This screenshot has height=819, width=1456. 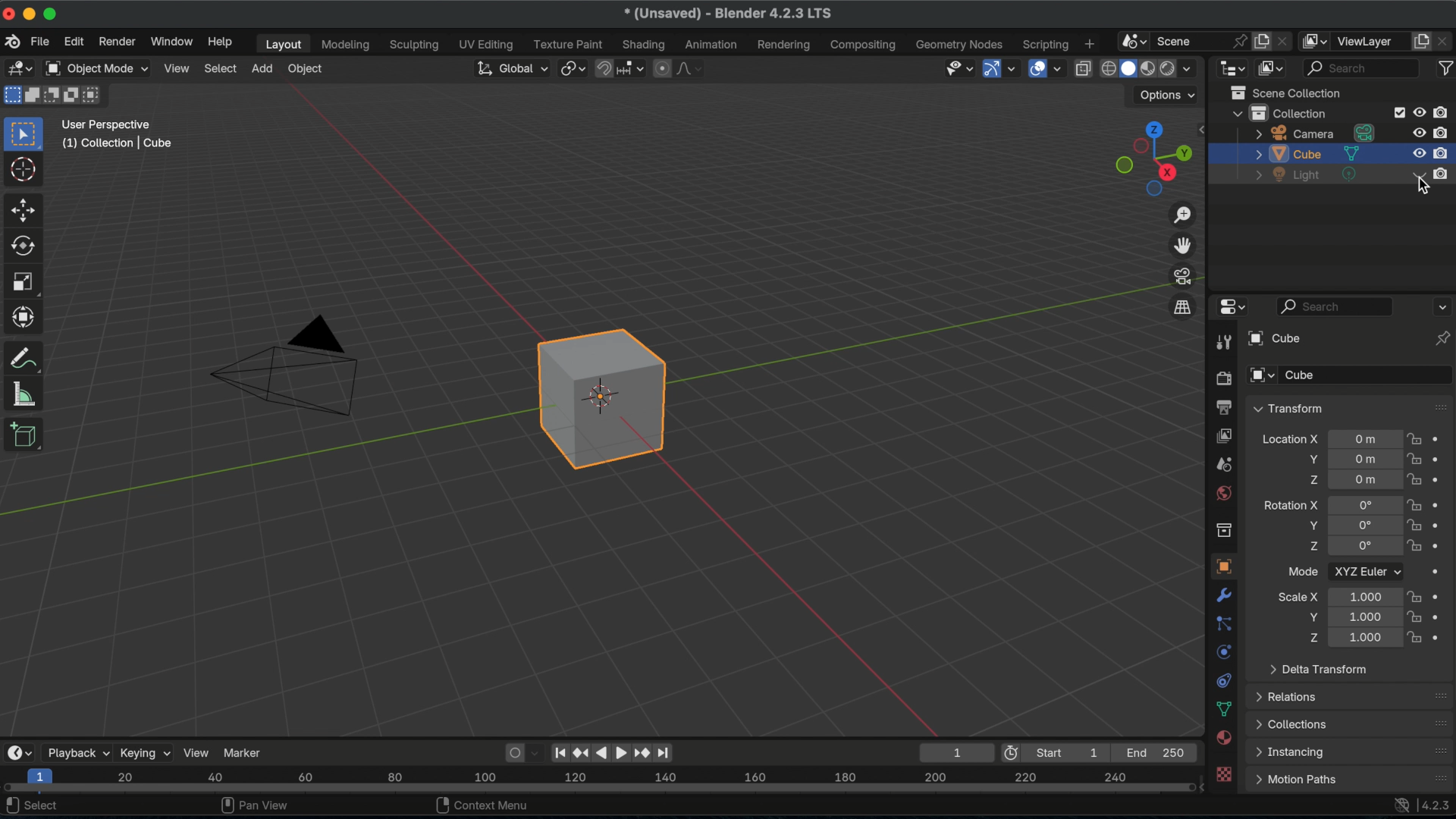 What do you see at coordinates (1309, 638) in the screenshot?
I see `scale Z` at bounding box center [1309, 638].